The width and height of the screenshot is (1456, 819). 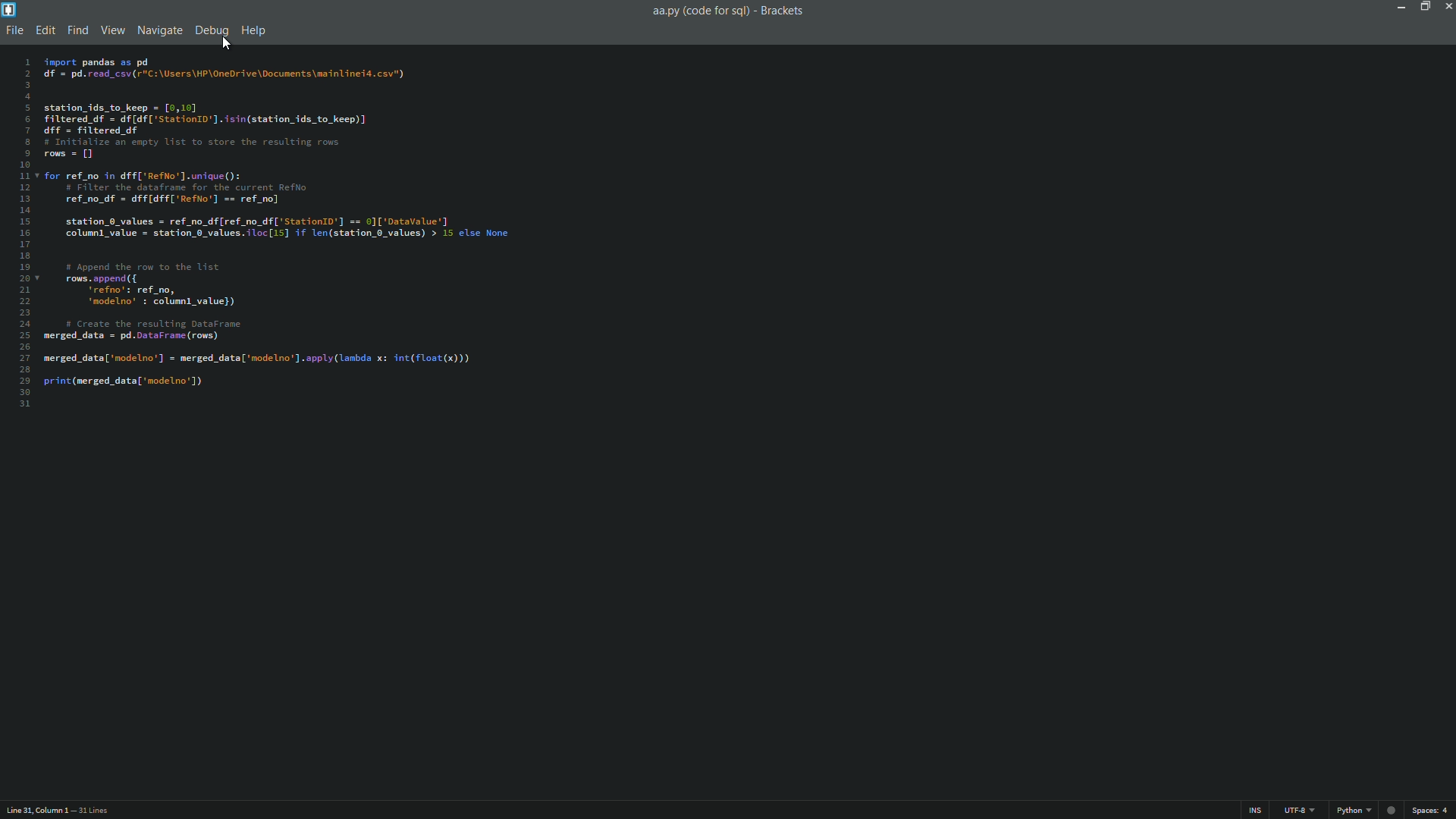 What do you see at coordinates (36, 811) in the screenshot?
I see `cursor position` at bounding box center [36, 811].